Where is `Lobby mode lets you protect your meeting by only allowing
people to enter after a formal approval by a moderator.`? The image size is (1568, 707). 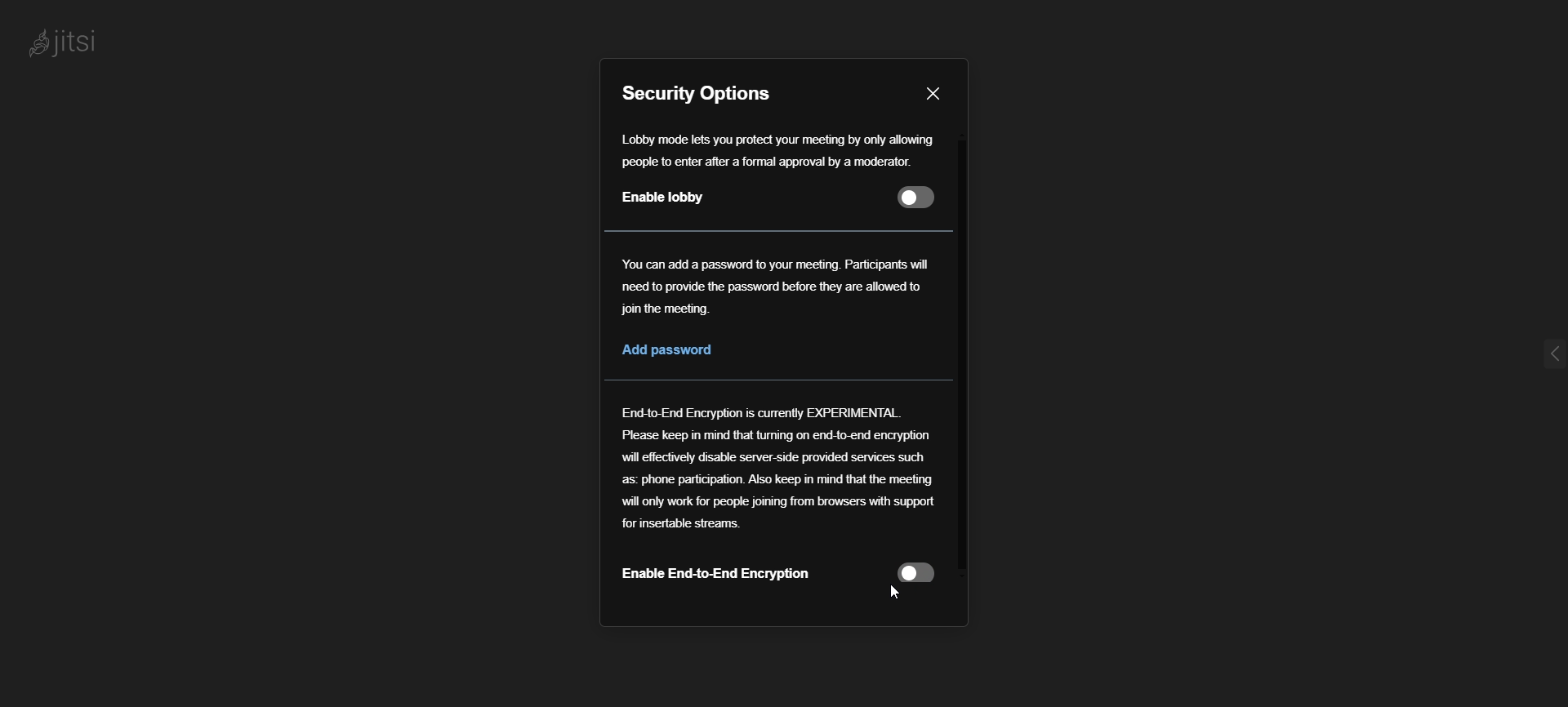
Lobby mode lets you protect your meeting by only allowing
people to enter after a formal approval by a moderator. is located at coordinates (773, 149).